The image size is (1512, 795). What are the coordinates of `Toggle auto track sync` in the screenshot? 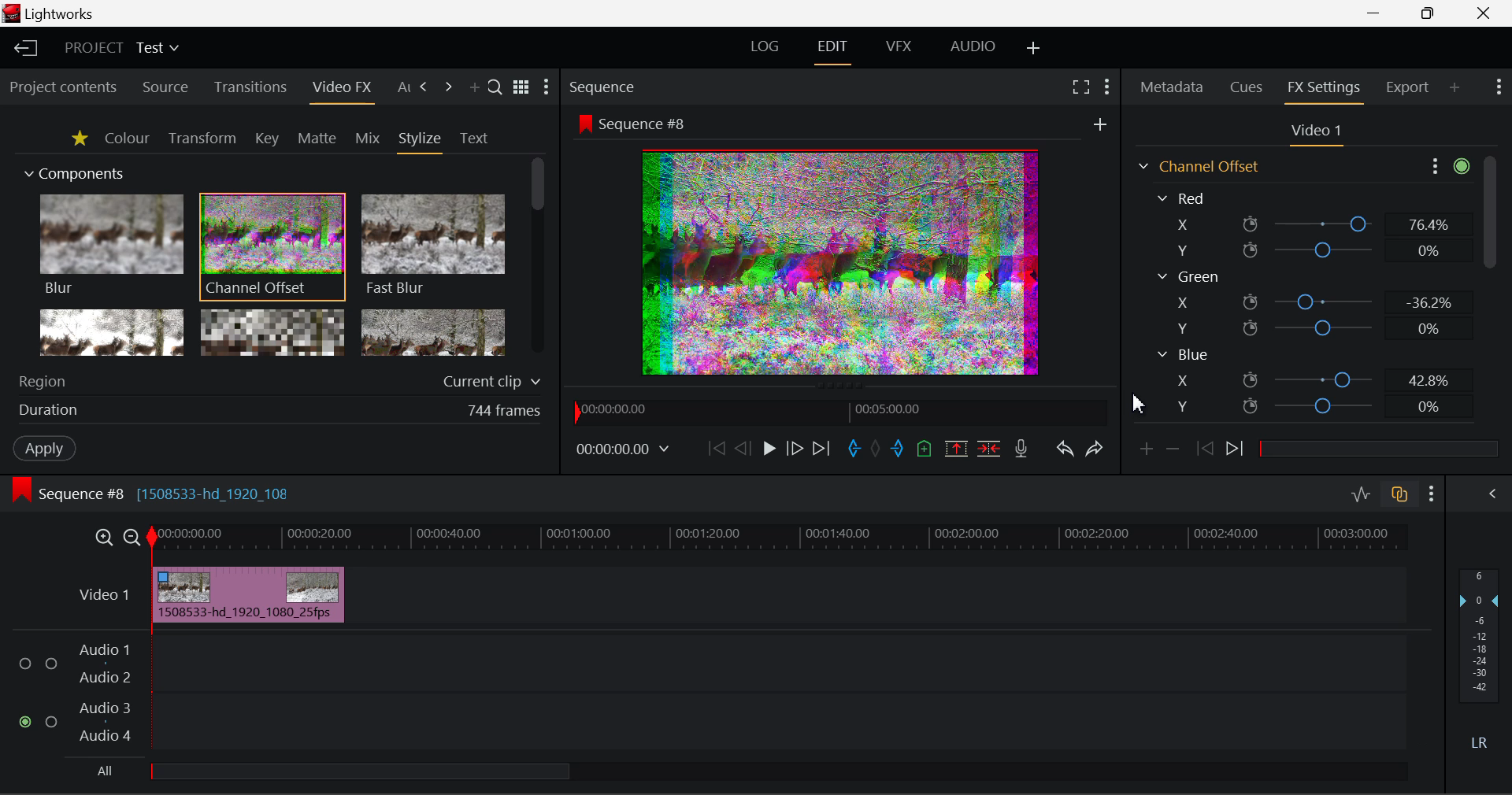 It's located at (1398, 494).